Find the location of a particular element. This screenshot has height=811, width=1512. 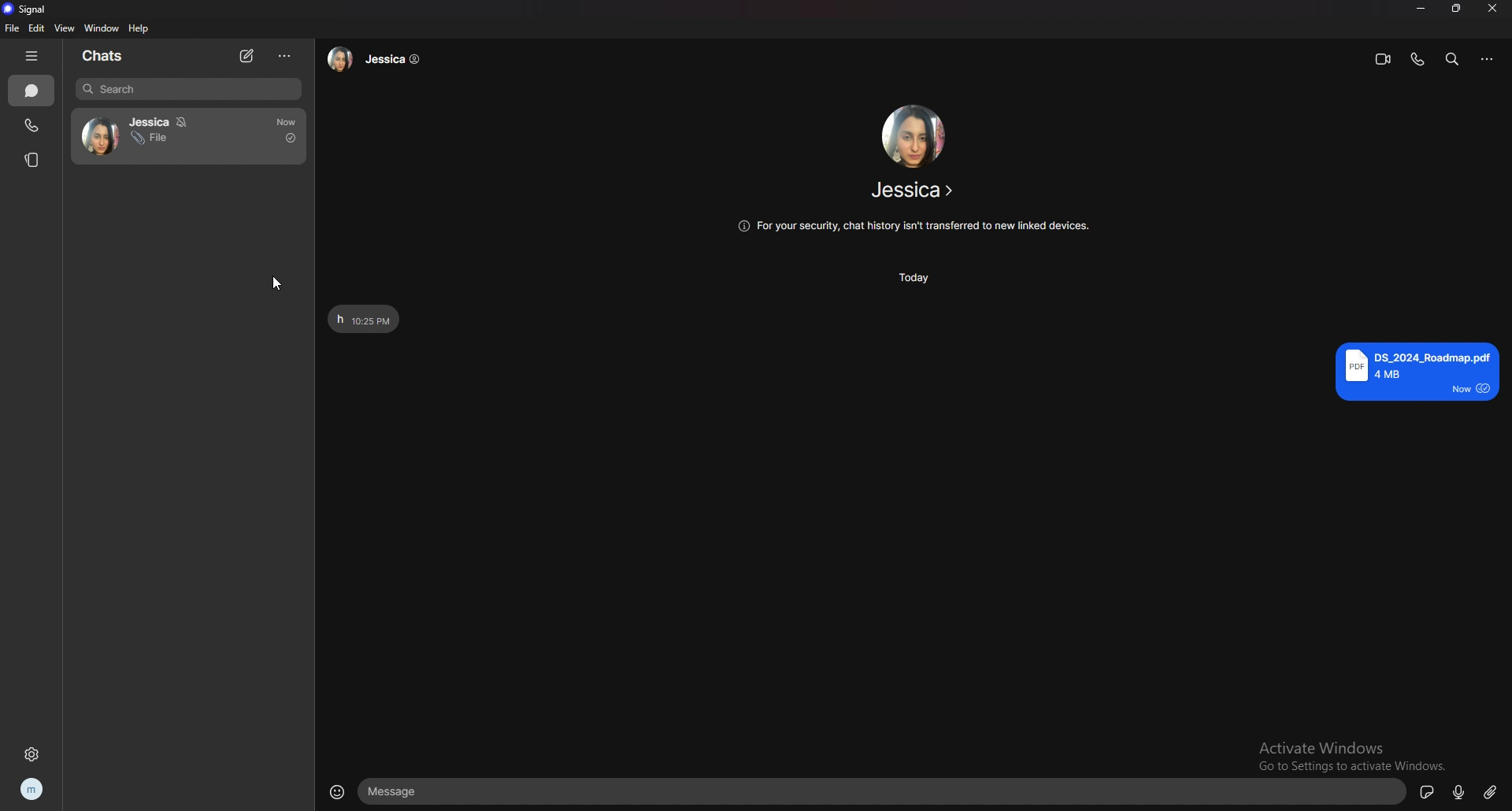

help is located at coordinates (140, 28).